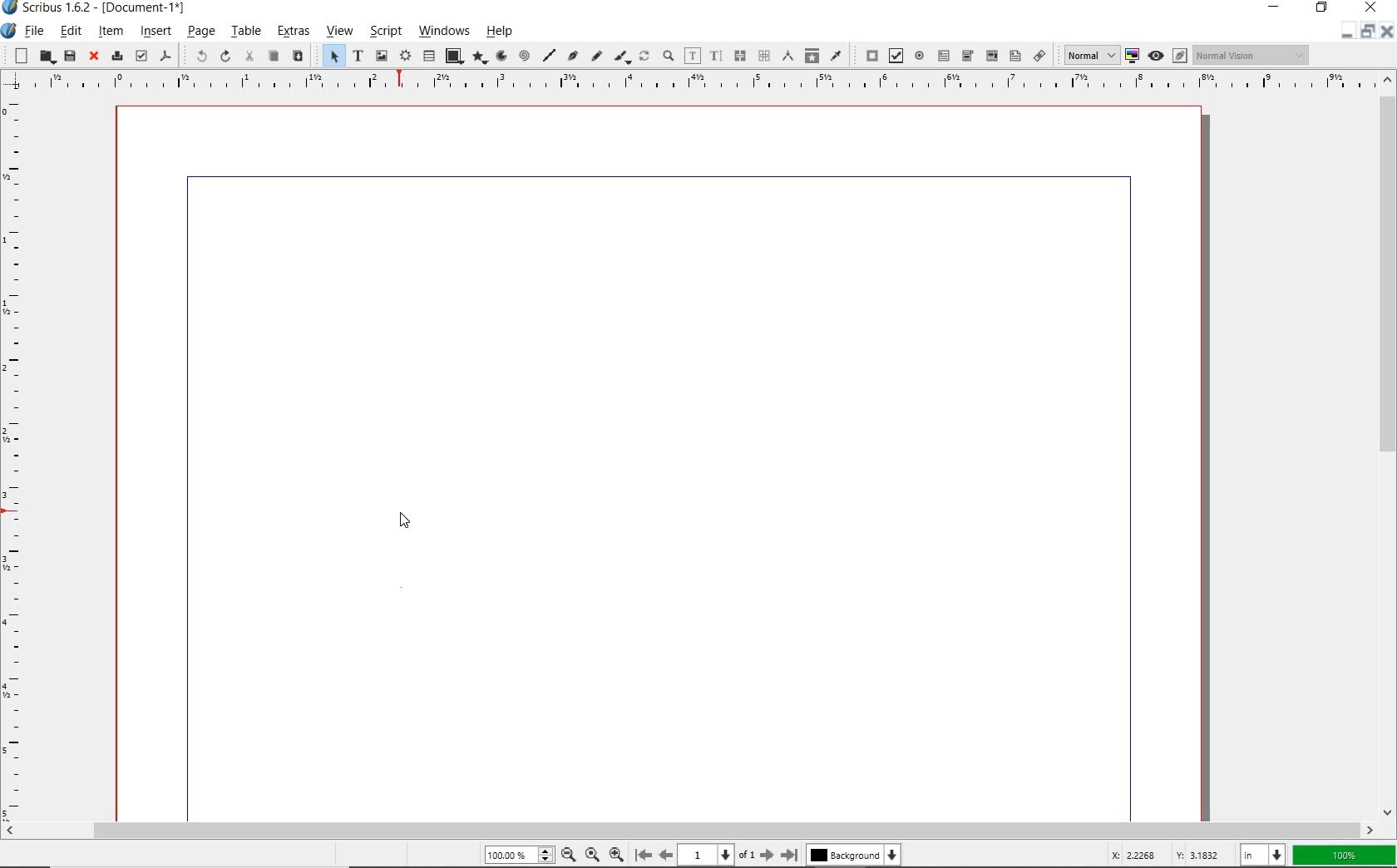  I want to click on polygon, so click(477, 58).